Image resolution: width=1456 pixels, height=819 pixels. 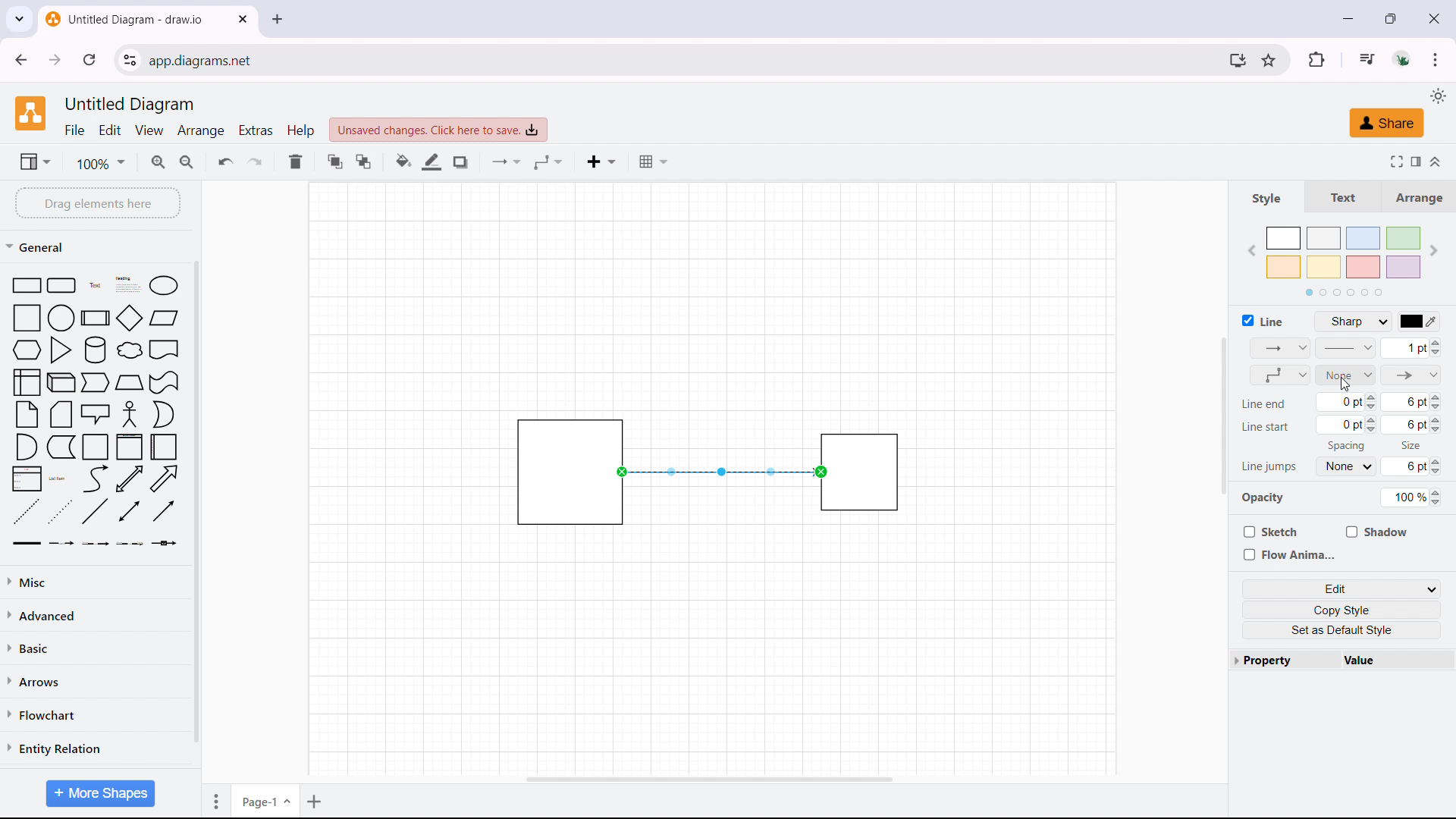 I want to click on line, so click(x=1263, y=320).